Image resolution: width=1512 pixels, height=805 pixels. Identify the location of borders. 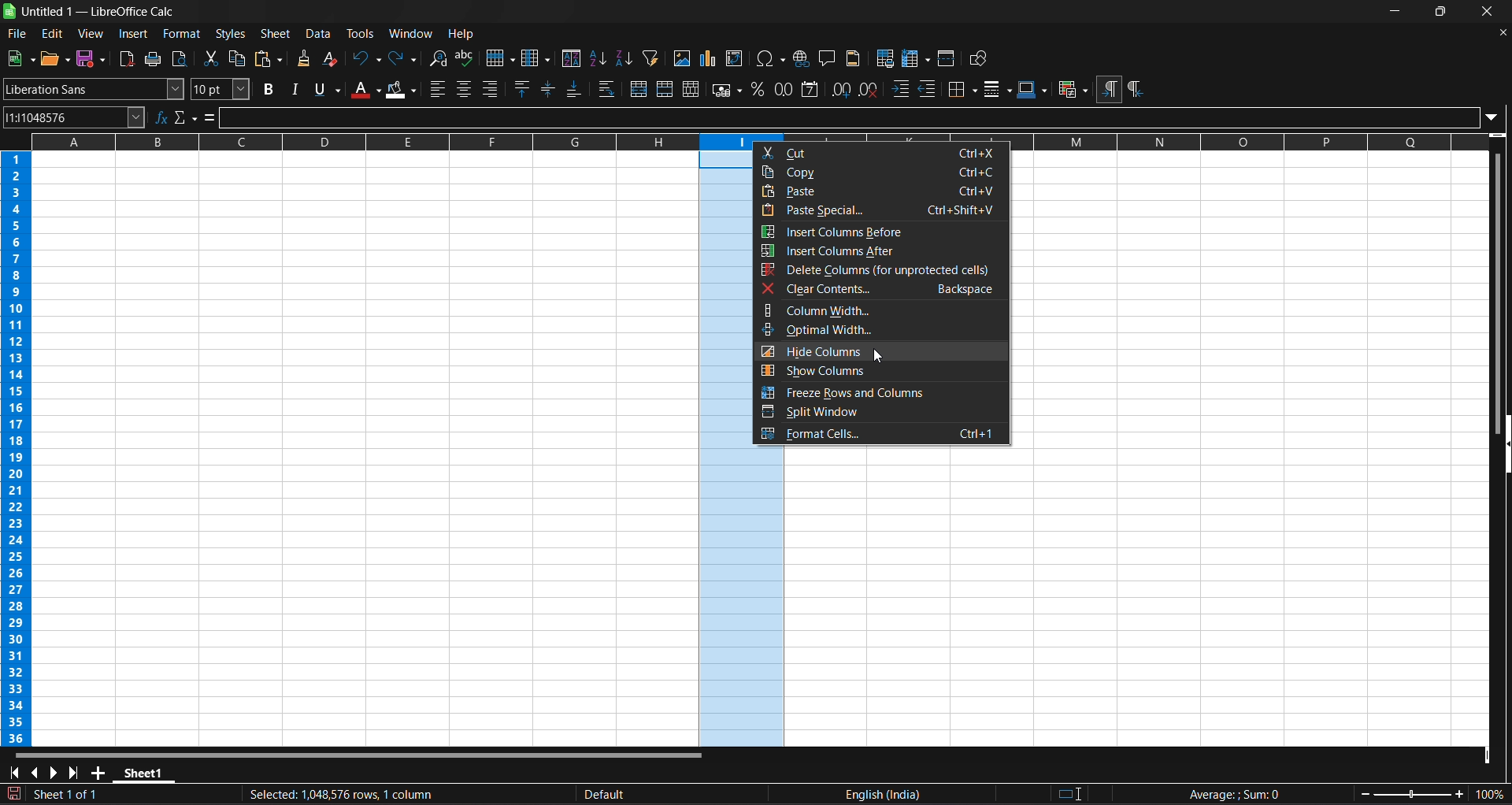
(962, 87).